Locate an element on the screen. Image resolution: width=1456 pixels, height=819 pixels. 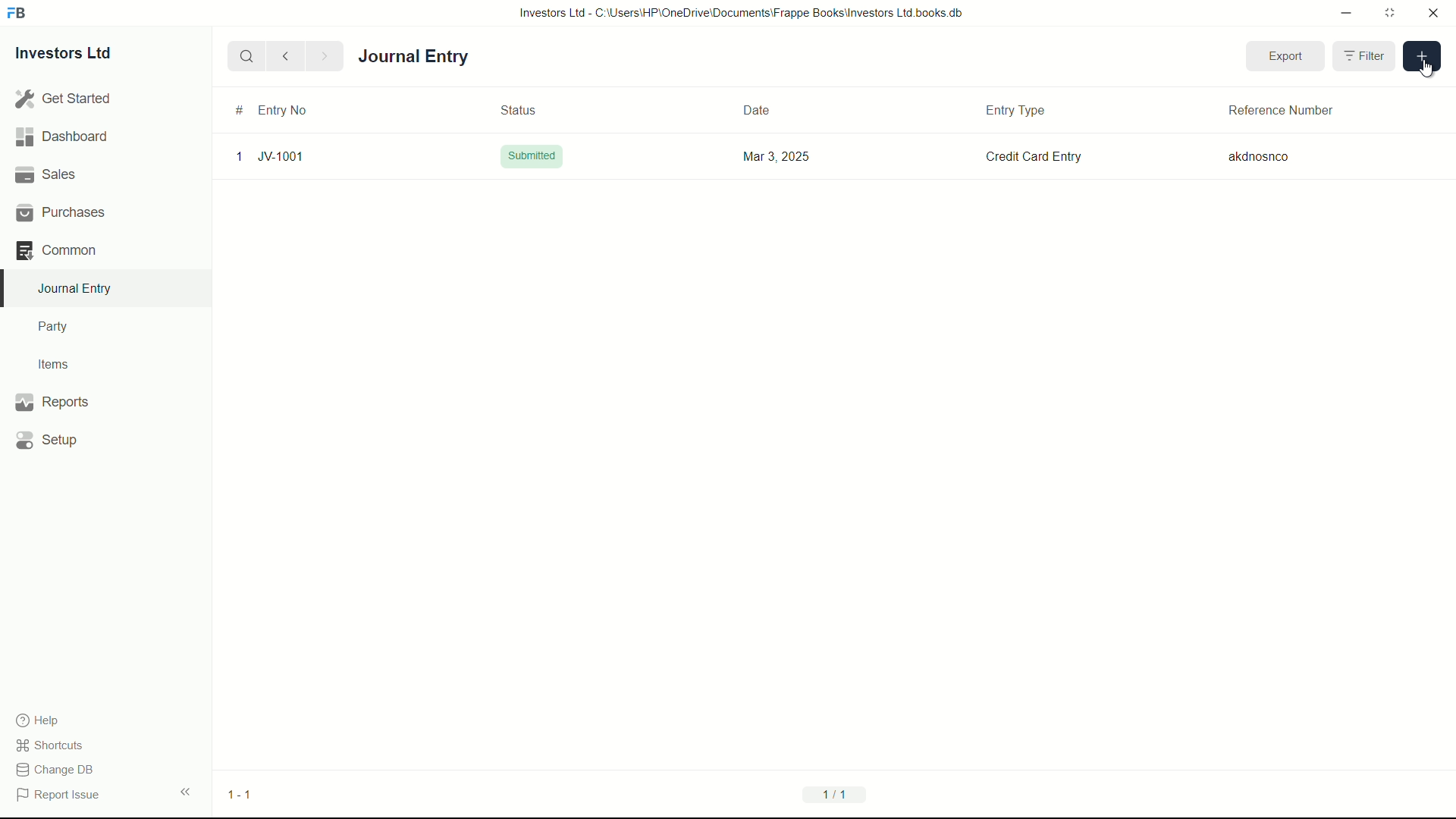
Reference Number is located at coordinates (1282, 108).